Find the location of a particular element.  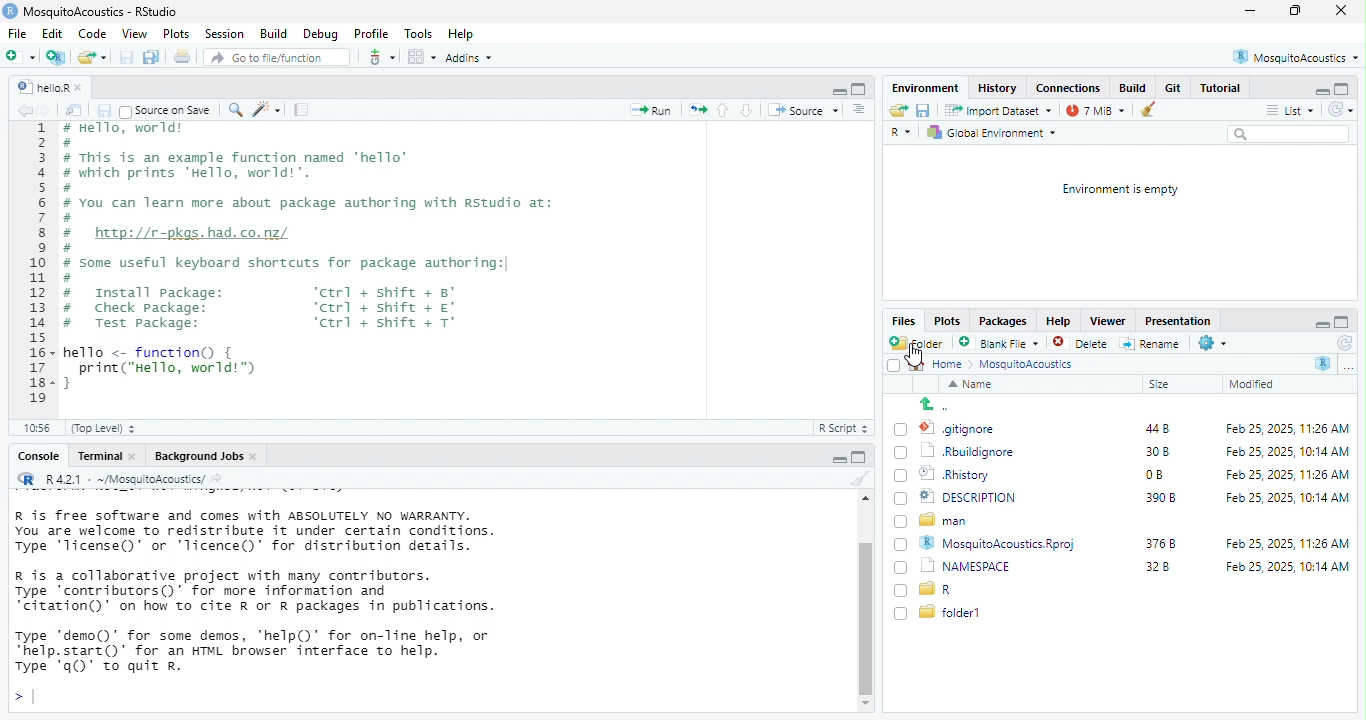

refresh is located at coordinates (1343, 111).